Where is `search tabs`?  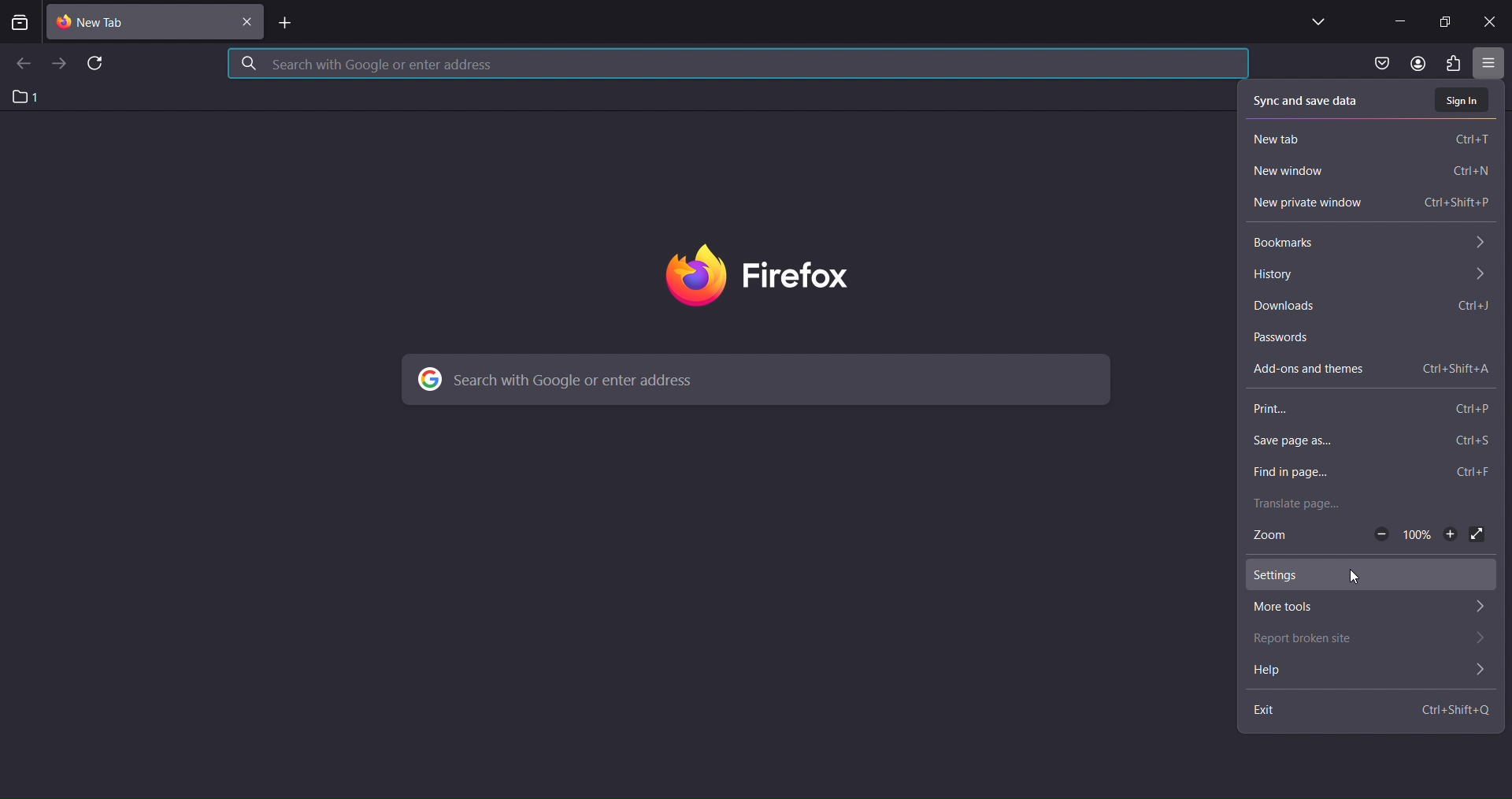 search tabs is located at coordinates (20, 24).